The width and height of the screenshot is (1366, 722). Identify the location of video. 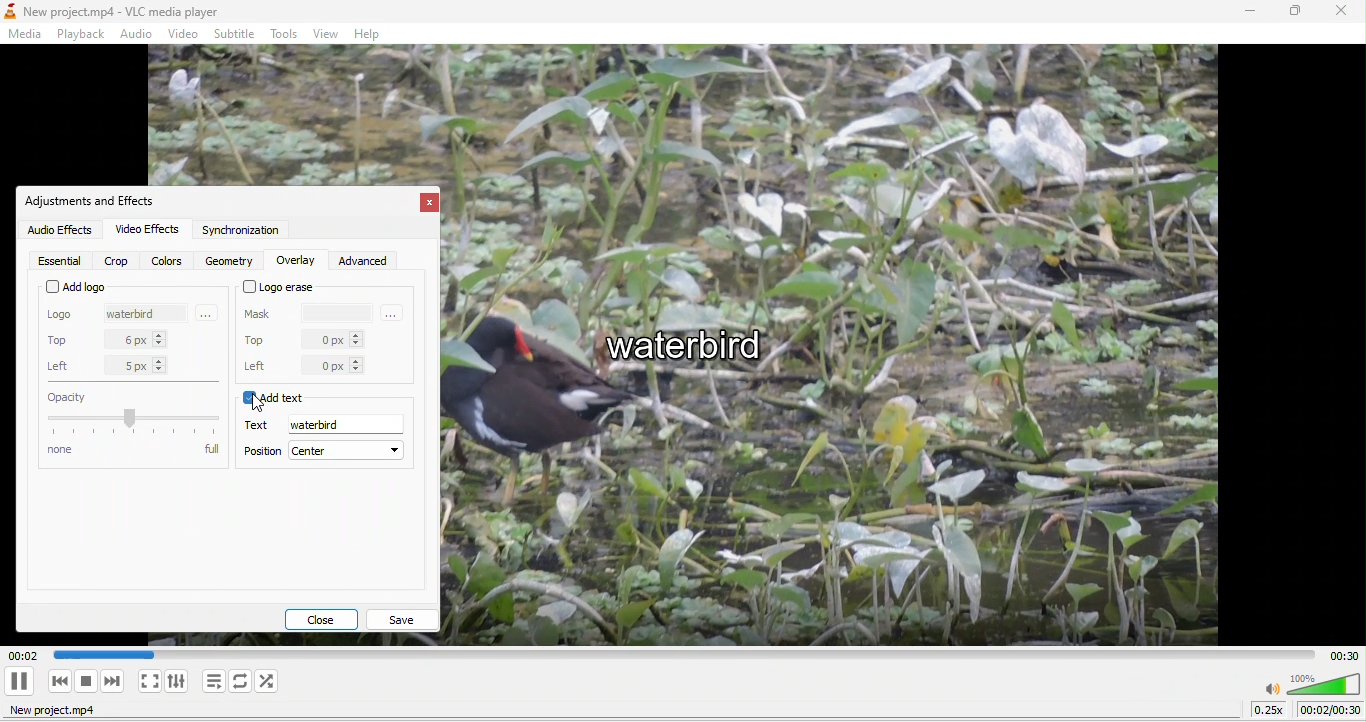
(182, 34).